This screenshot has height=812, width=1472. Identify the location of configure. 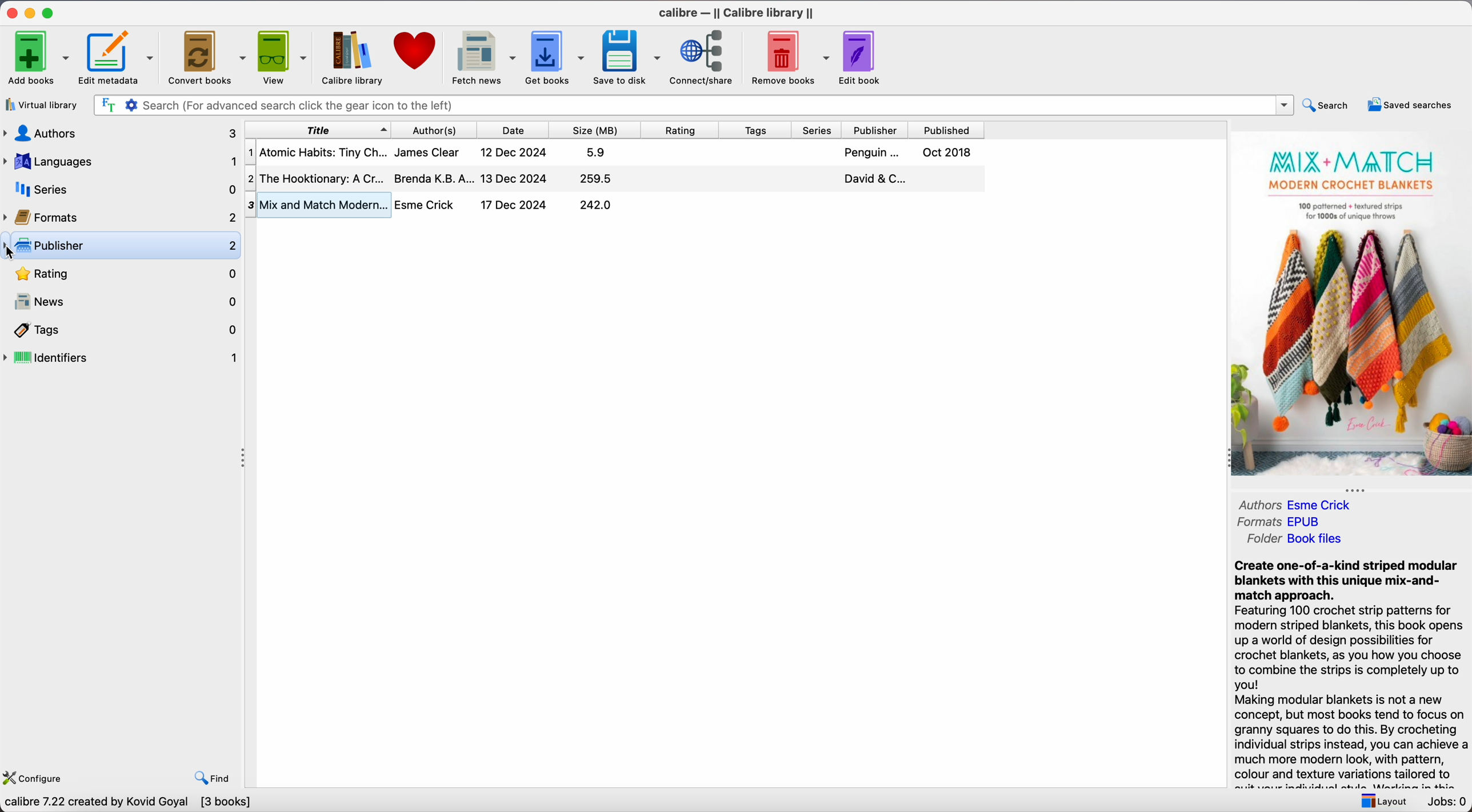
(38, 776).